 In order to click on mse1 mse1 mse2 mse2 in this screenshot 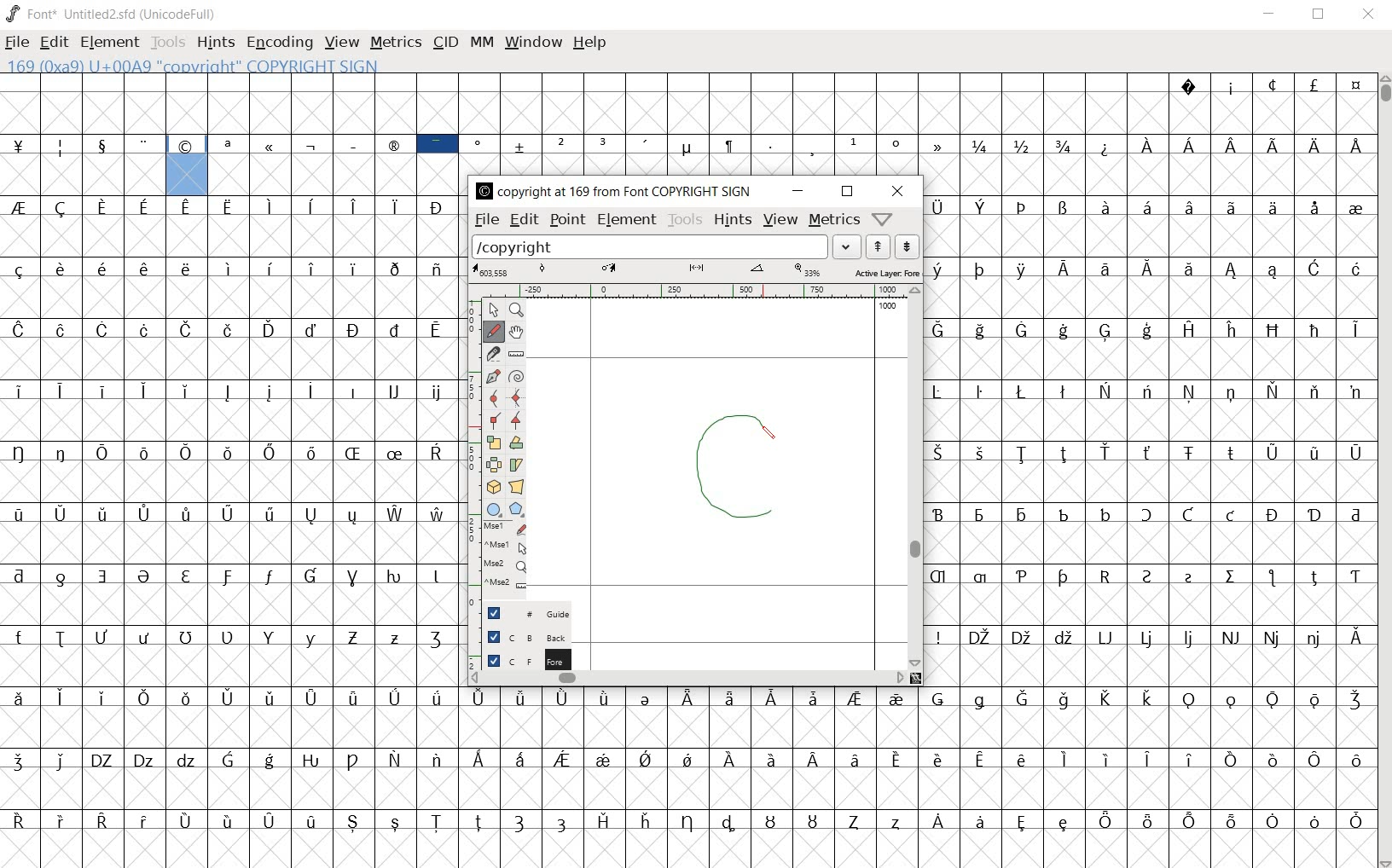, I will do `click(502, 558)`.